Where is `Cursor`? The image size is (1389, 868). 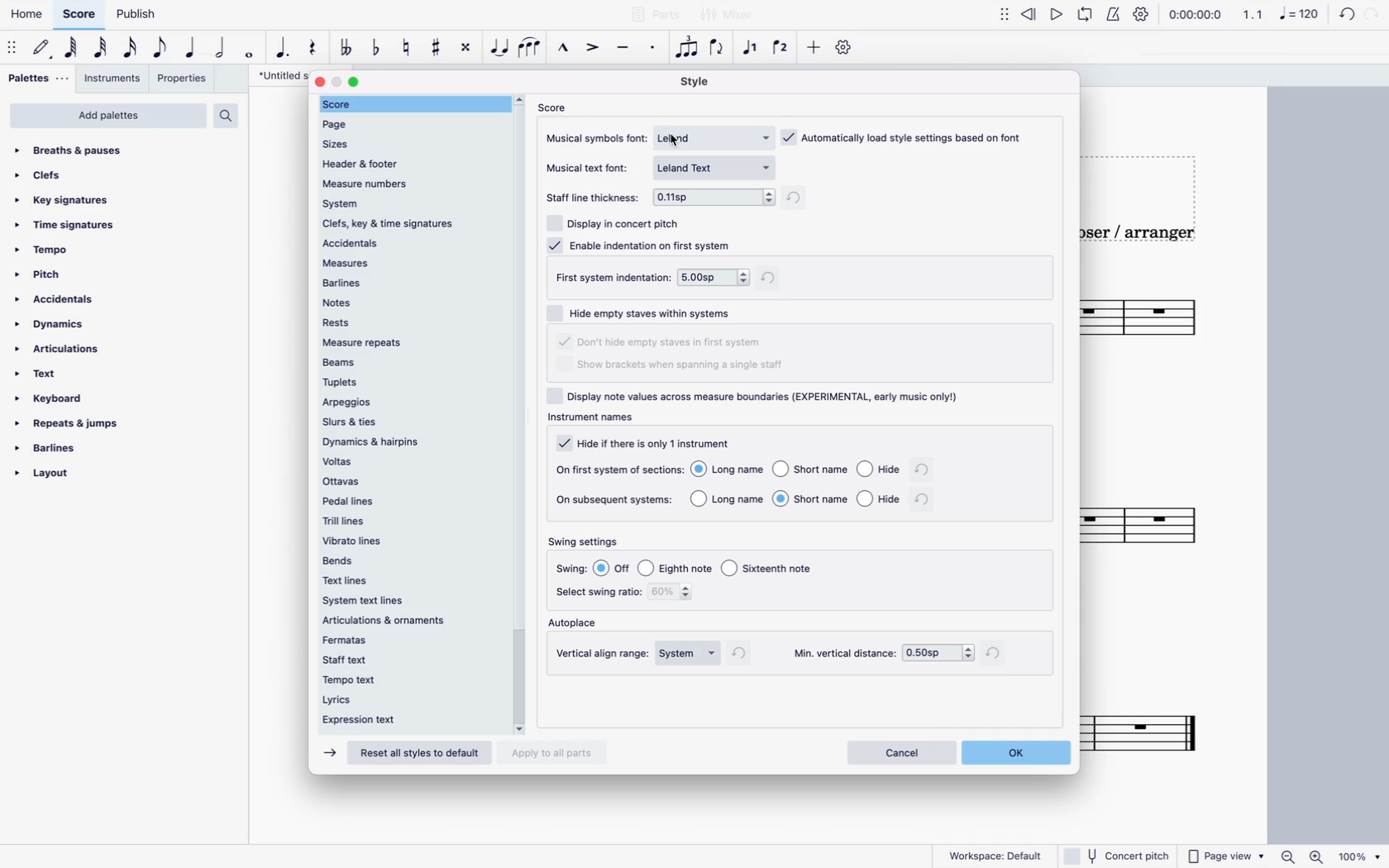 Cursor is located at coordinates (677, 143).